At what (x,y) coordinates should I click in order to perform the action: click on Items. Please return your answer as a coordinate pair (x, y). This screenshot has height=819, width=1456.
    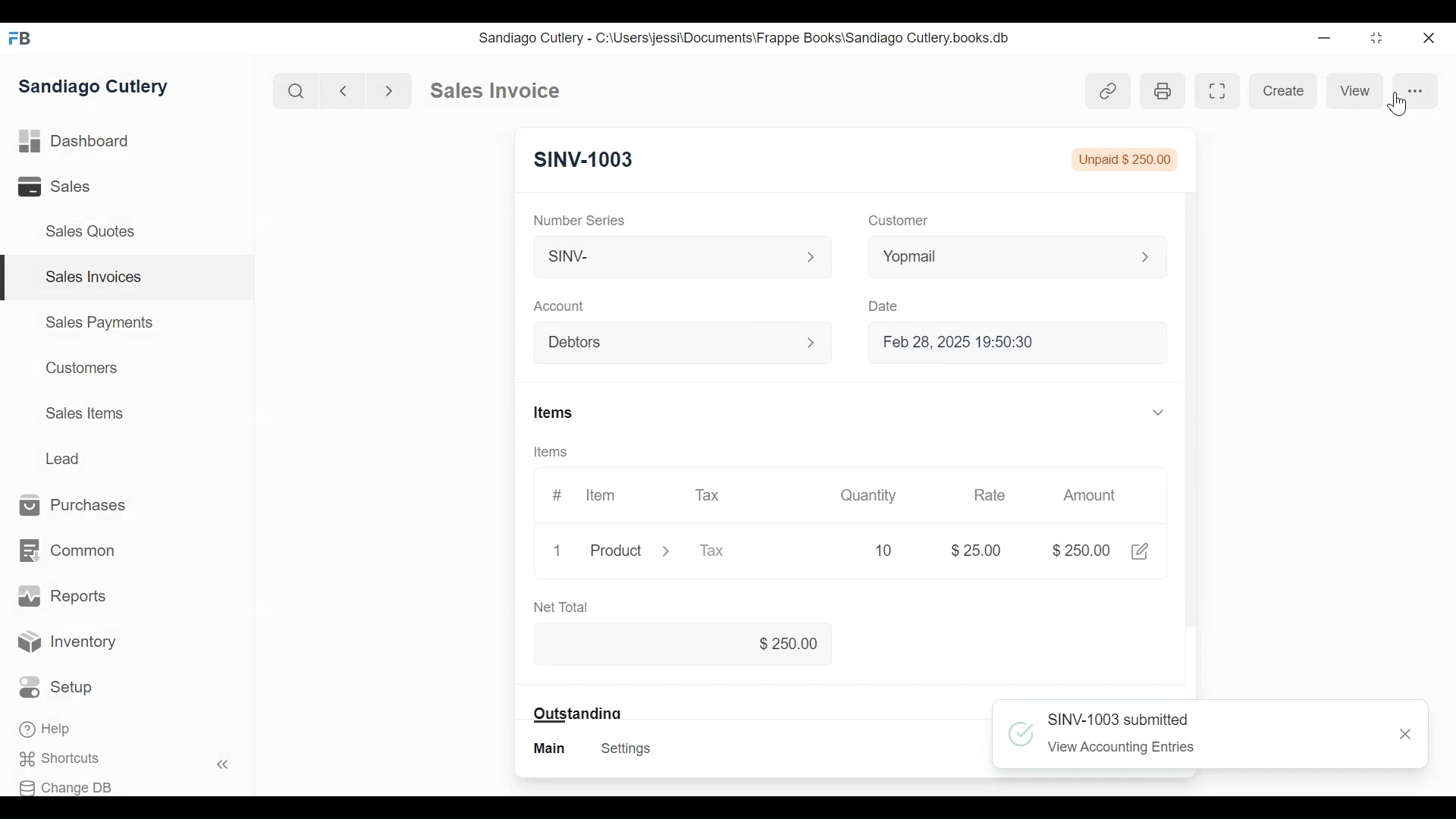
    Looking at the image, I should click on (556, 449).